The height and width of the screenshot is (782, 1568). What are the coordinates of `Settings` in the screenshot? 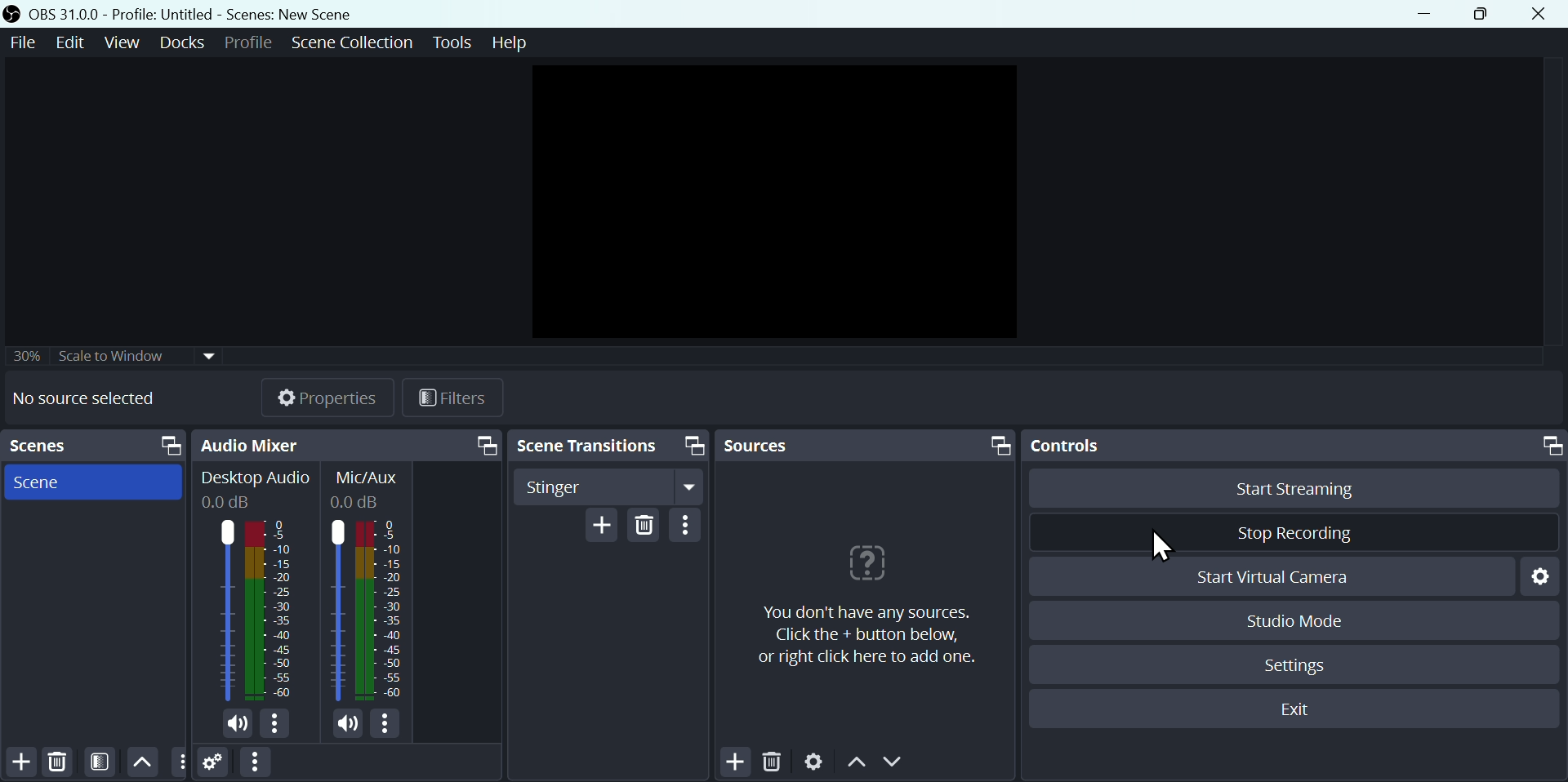 It's located at (1539, 579).